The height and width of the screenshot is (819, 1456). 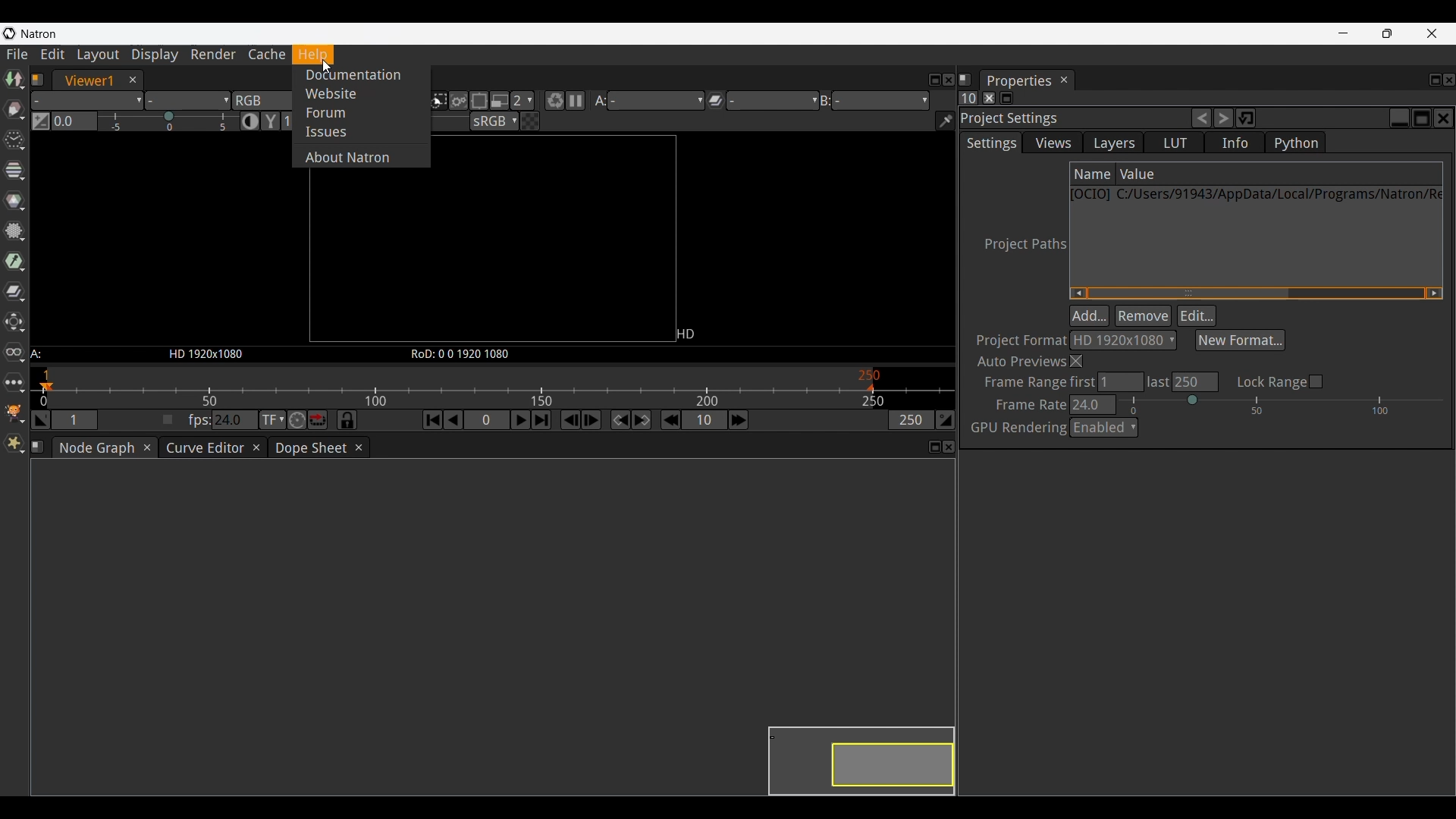 I want to click on Auto contrast, so click(x=249, y=121).